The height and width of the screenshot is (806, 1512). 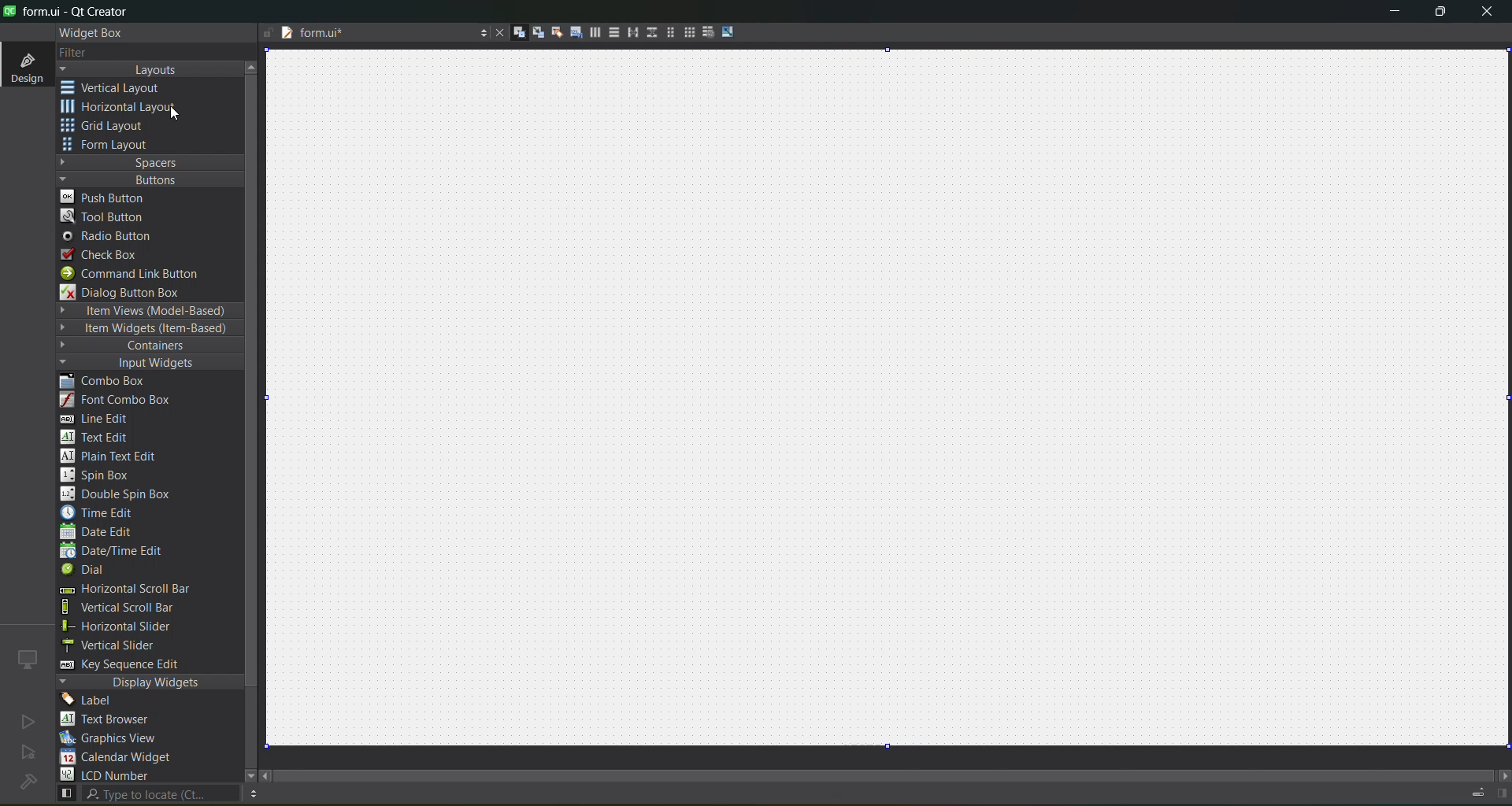 I want to click on widget box, so click(x=94, y=33).